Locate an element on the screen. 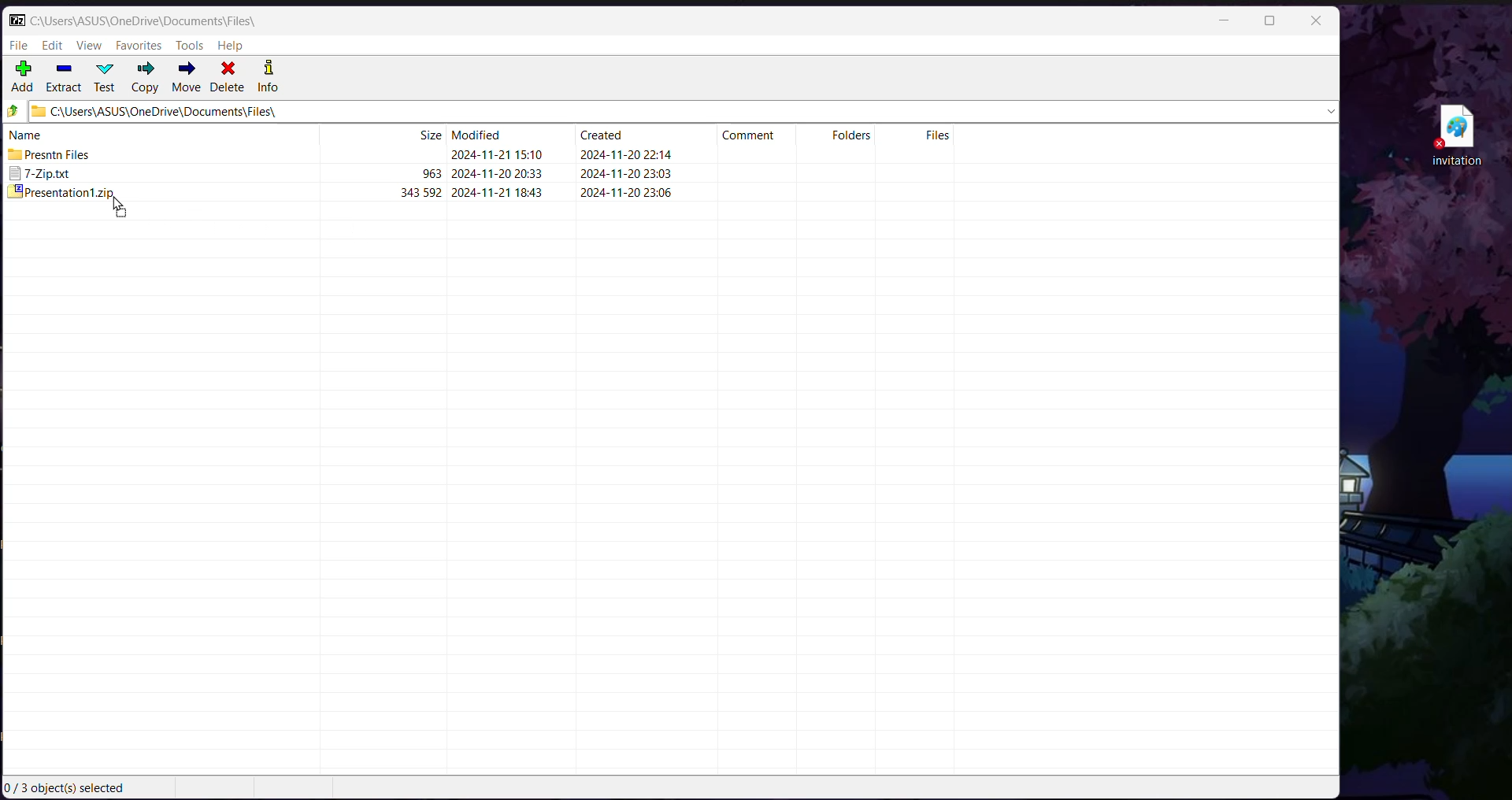 This screenshot has height=800, width=1512. Tools is located at coordinates (189, 46).